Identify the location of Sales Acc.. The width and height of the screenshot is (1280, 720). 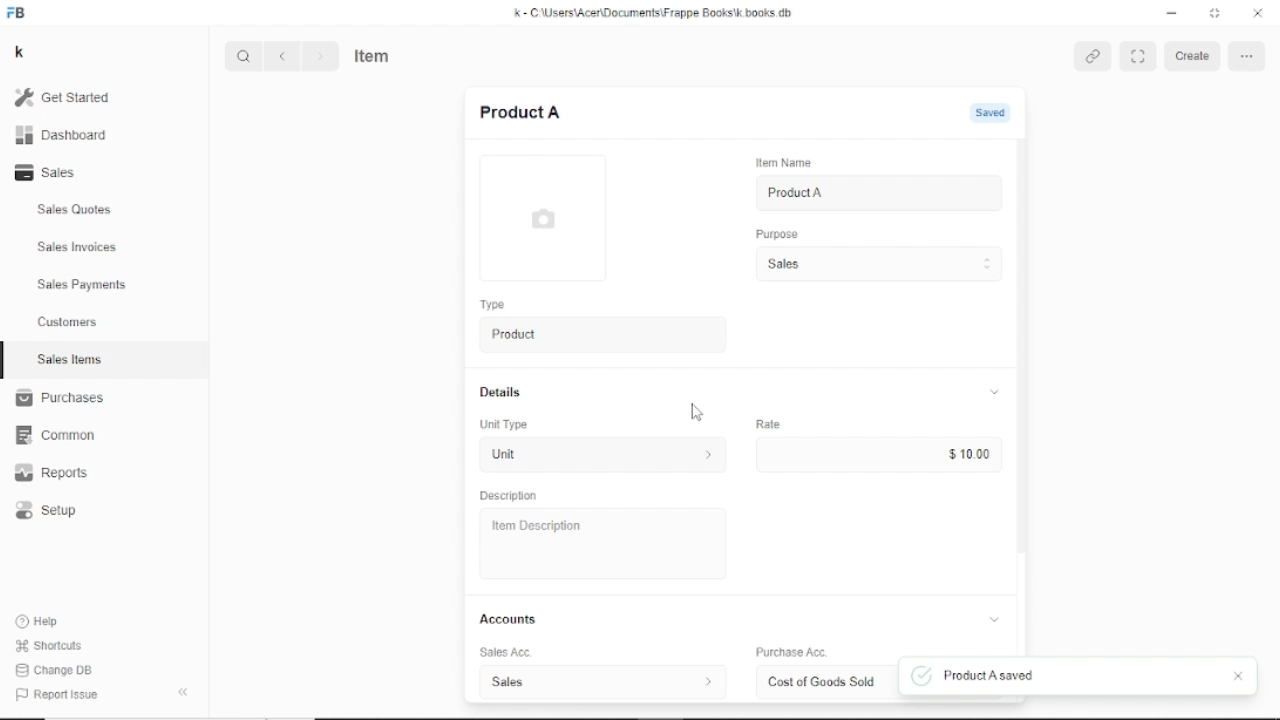
(502, 653).